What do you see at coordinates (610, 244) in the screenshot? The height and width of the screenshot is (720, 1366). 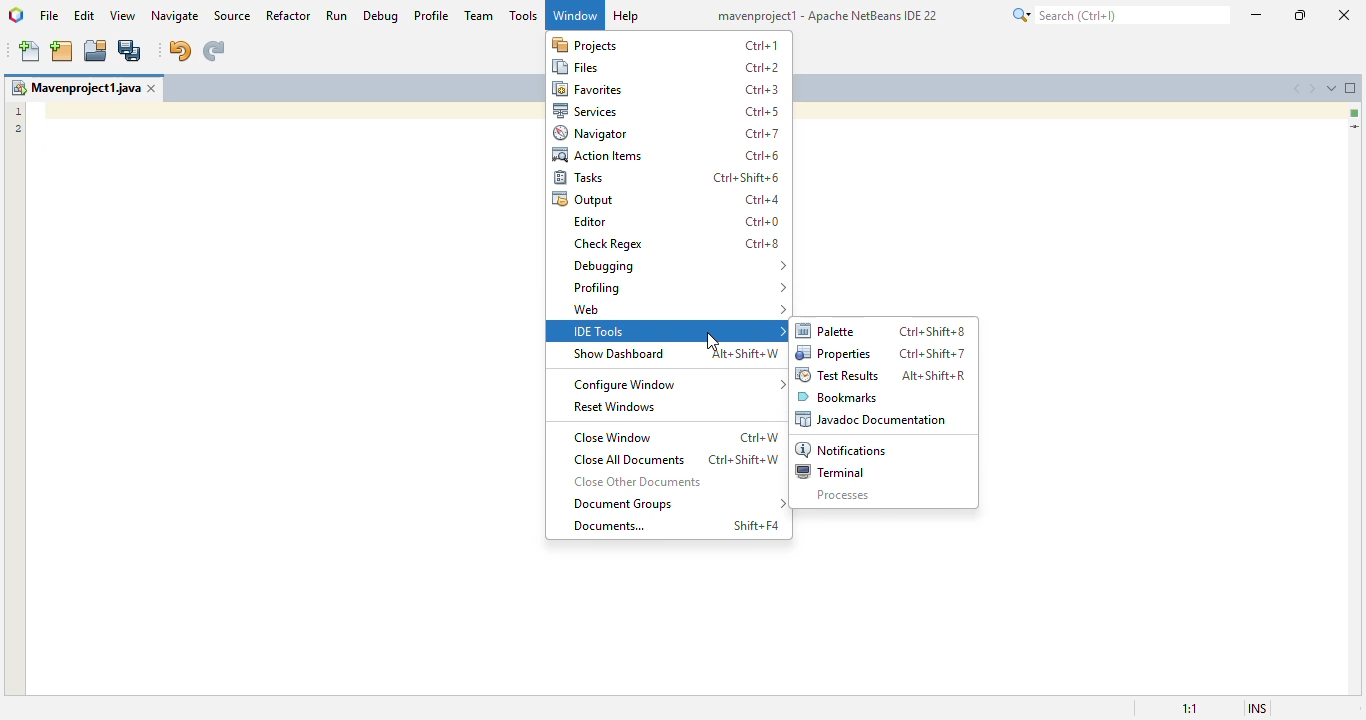 I see `check regex` at bounding box center [610, 244].